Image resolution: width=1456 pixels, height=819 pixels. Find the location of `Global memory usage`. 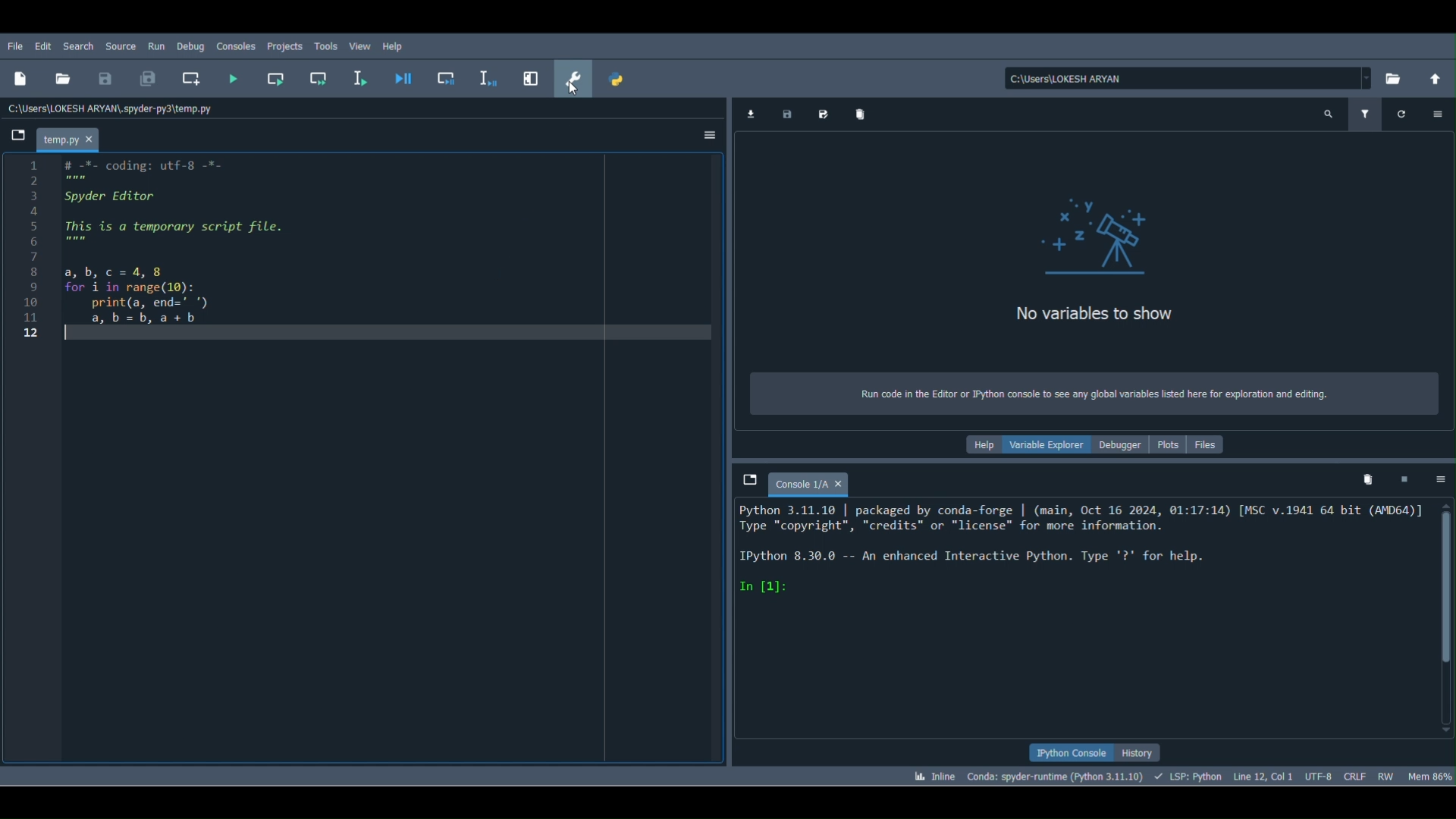

Global memory usage is located at coordinates (1430, 775).